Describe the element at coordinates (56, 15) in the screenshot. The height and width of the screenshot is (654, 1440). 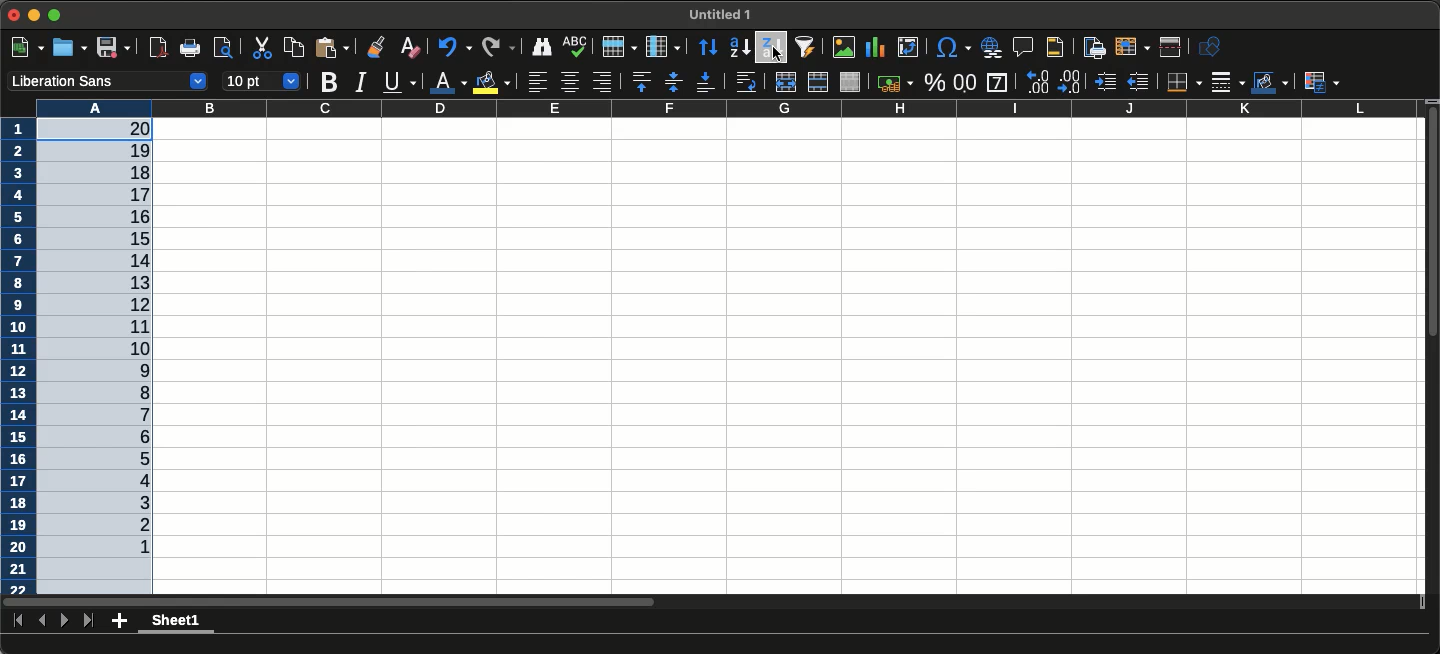
I see `Expand` at that location.